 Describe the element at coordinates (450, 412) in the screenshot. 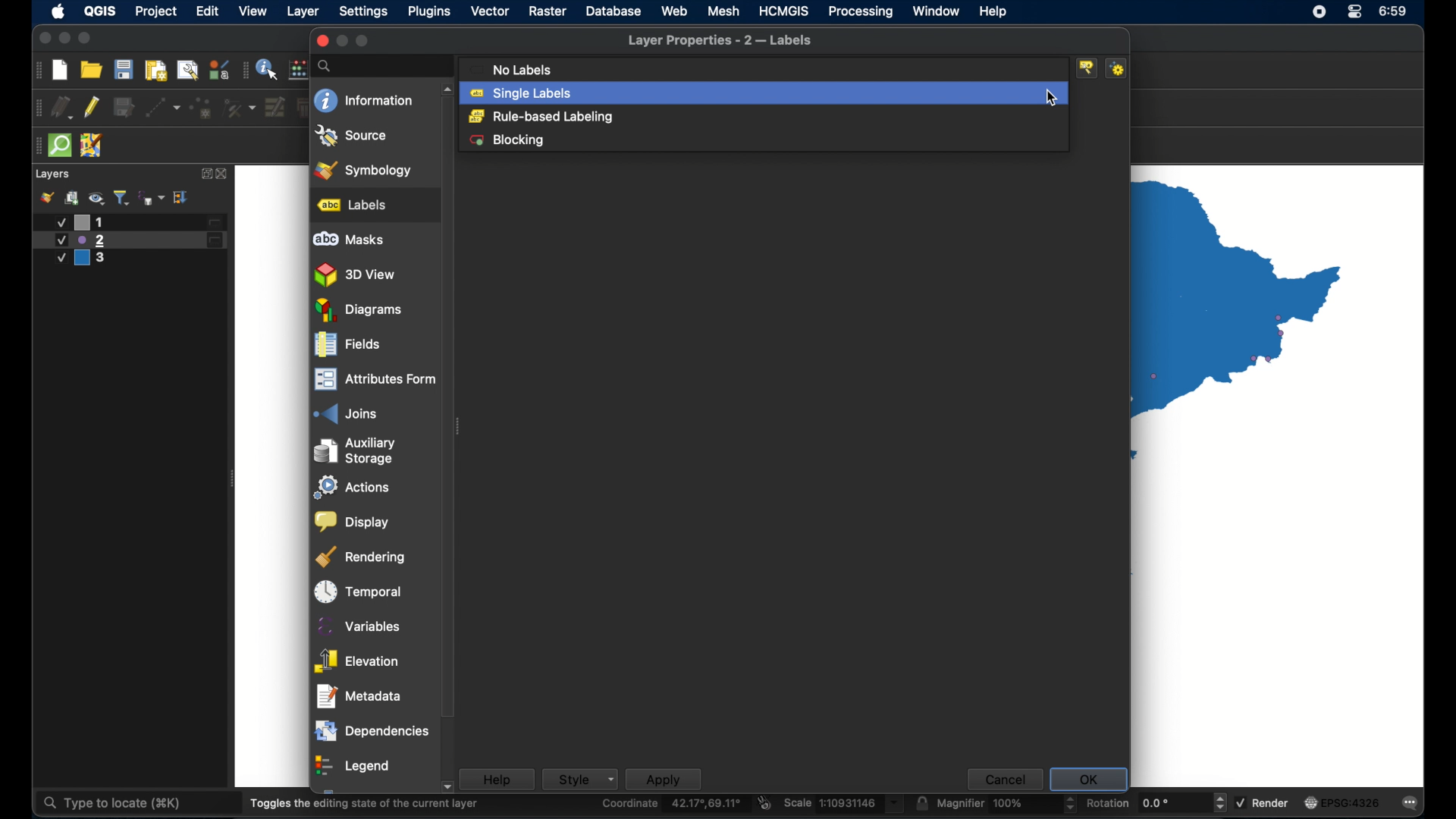

I see `scroll box` at that location.